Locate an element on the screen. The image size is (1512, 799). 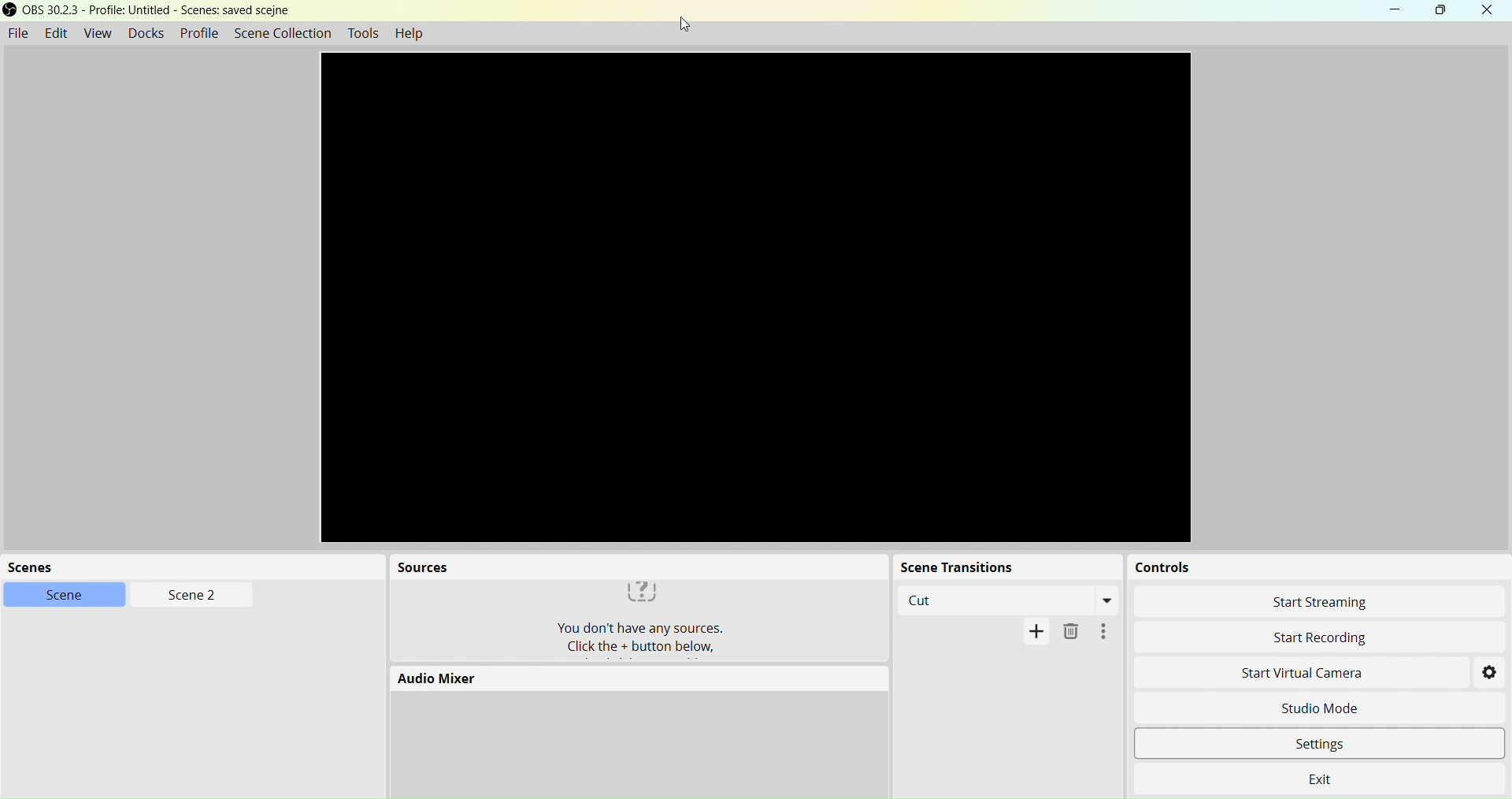
cursor is located at coordinates (687, 24).